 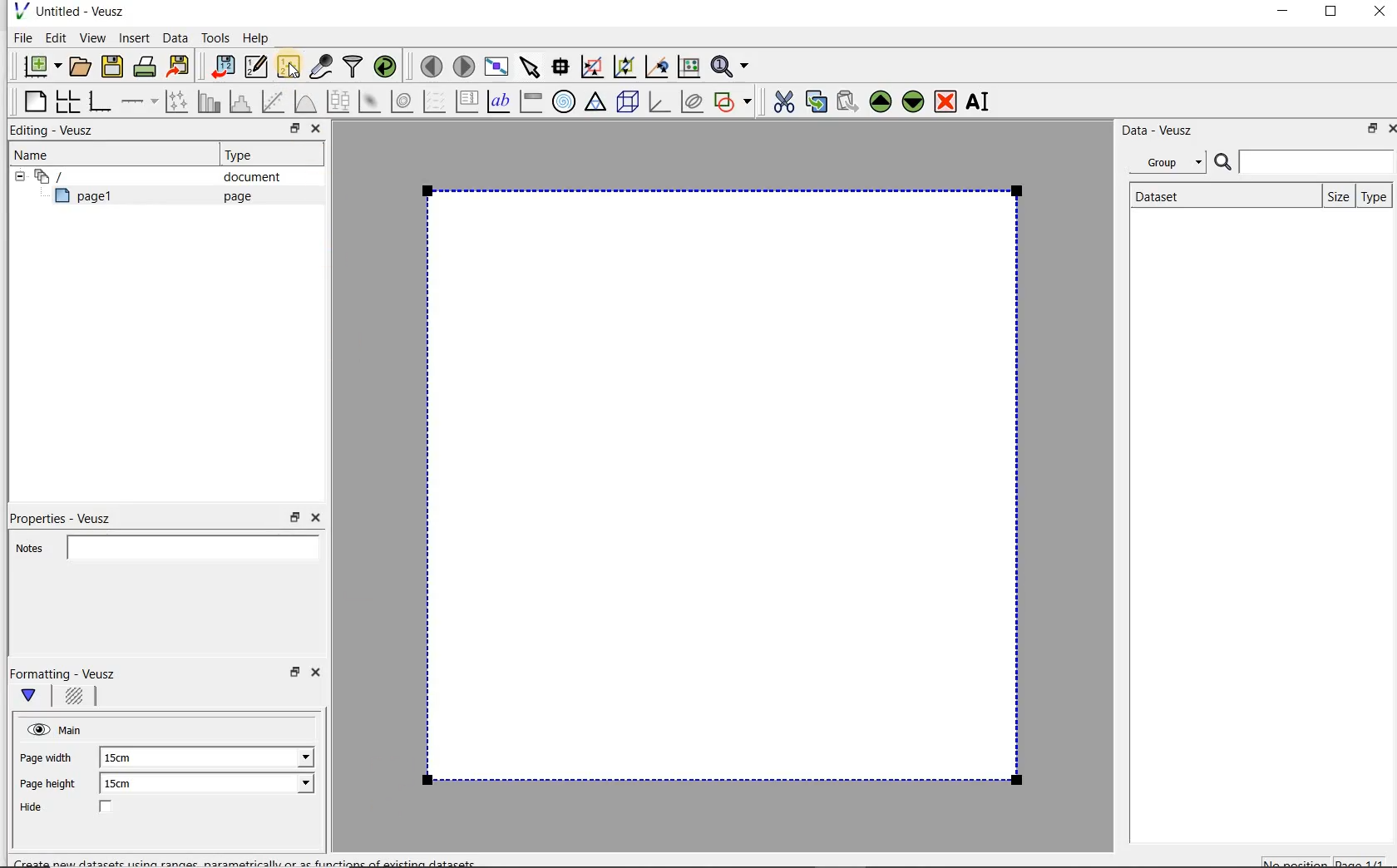 What do you see at coordinates (468, 101) in the screenshot?
I see `plot key` at bounding box center [468, 101].